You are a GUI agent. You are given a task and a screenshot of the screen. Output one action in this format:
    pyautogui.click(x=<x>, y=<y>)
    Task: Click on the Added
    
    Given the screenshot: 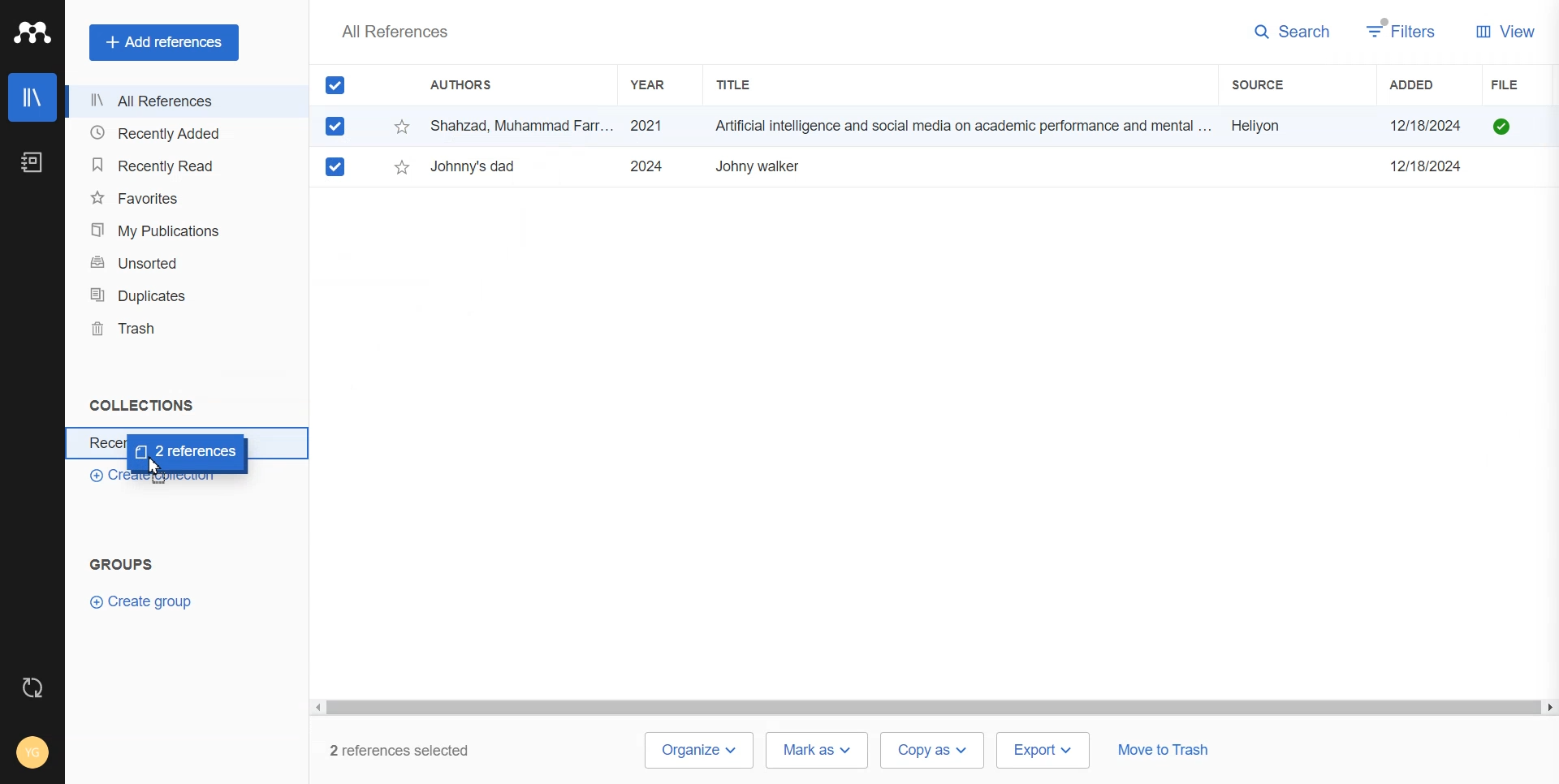 What is the action you would take?
    pyautogui.click(x=1428, y=84)
    